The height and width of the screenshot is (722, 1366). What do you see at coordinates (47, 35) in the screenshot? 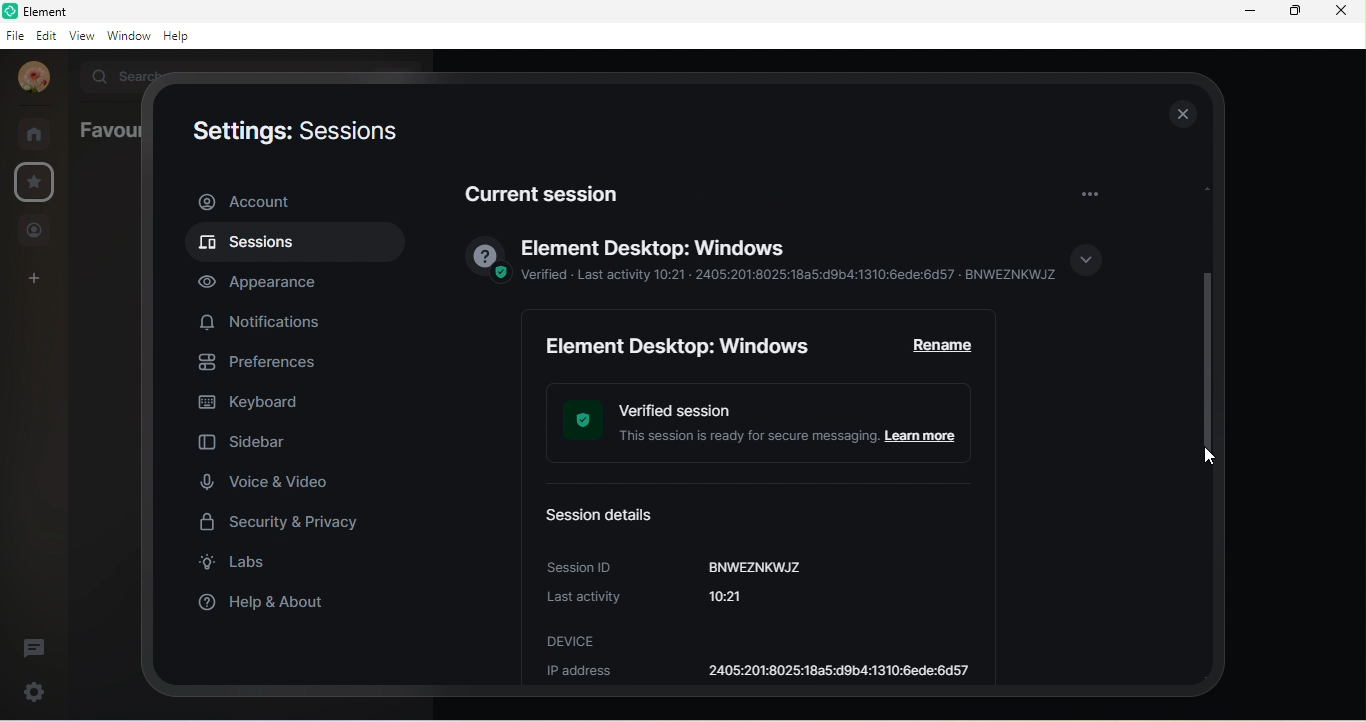
I see `edit` at bounding box center [47, 35].